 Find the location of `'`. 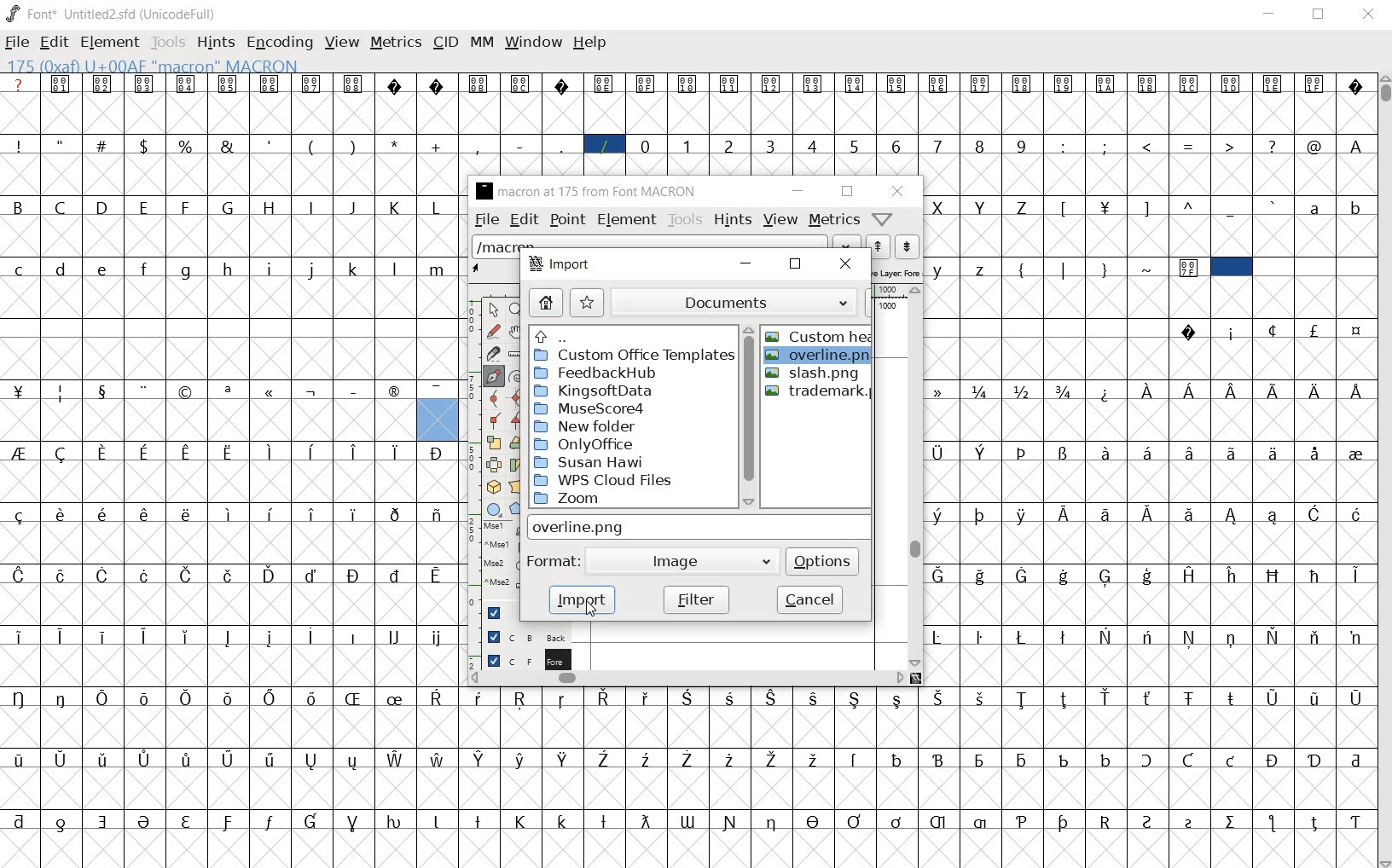

' is located at coordinates (270, 146).